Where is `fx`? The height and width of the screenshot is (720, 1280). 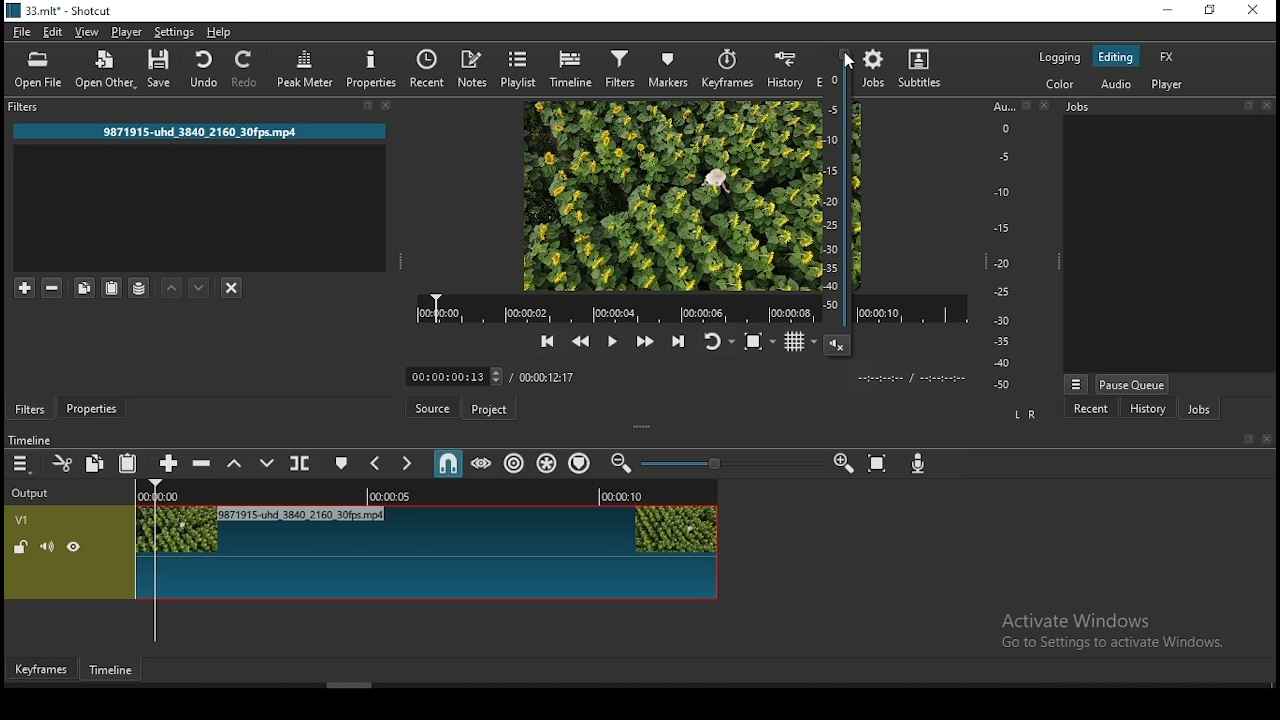
fx is located at coordinates (1168, 58).